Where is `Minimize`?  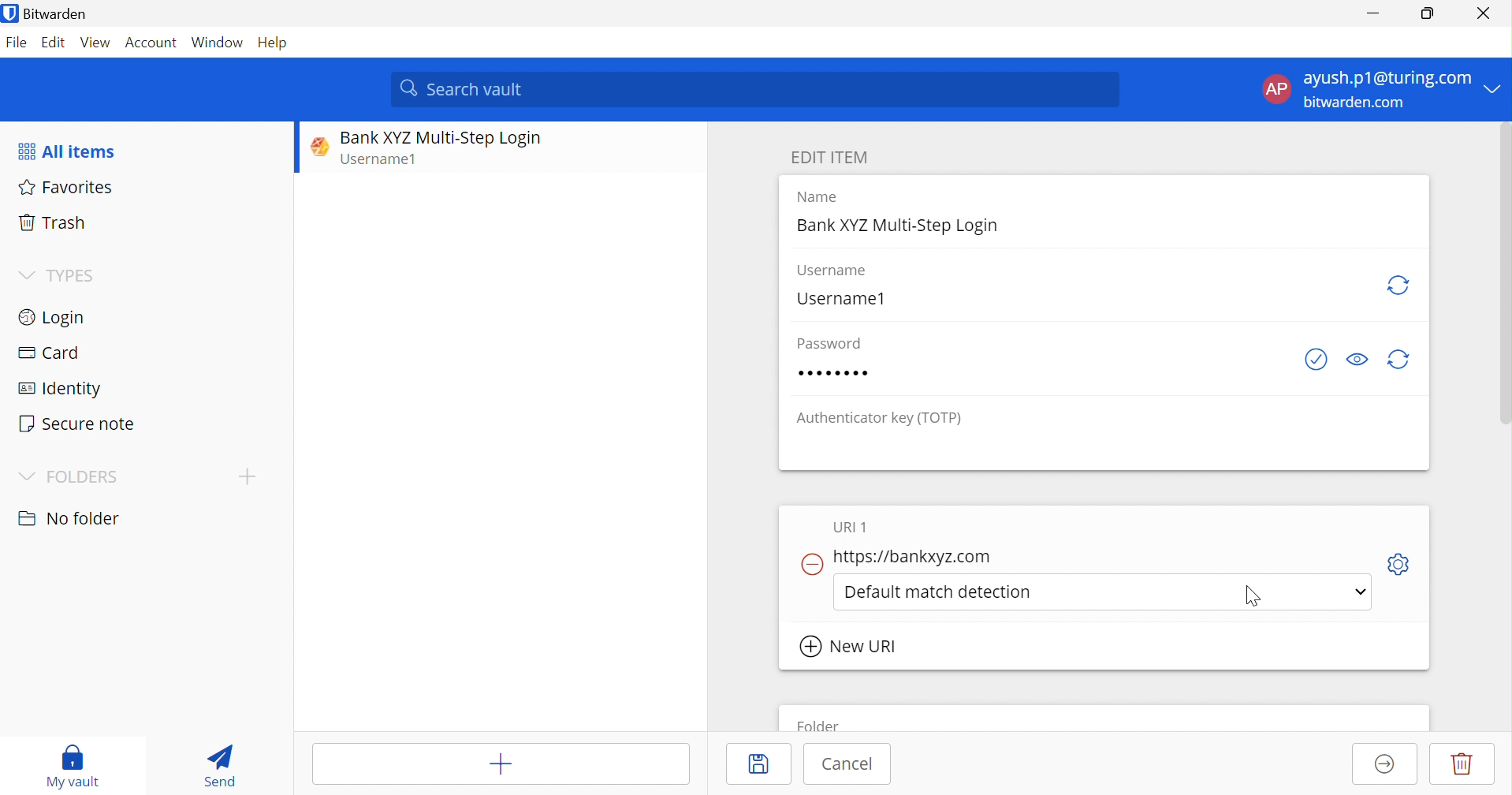 Minimize is located at coordinates (1371, 15).